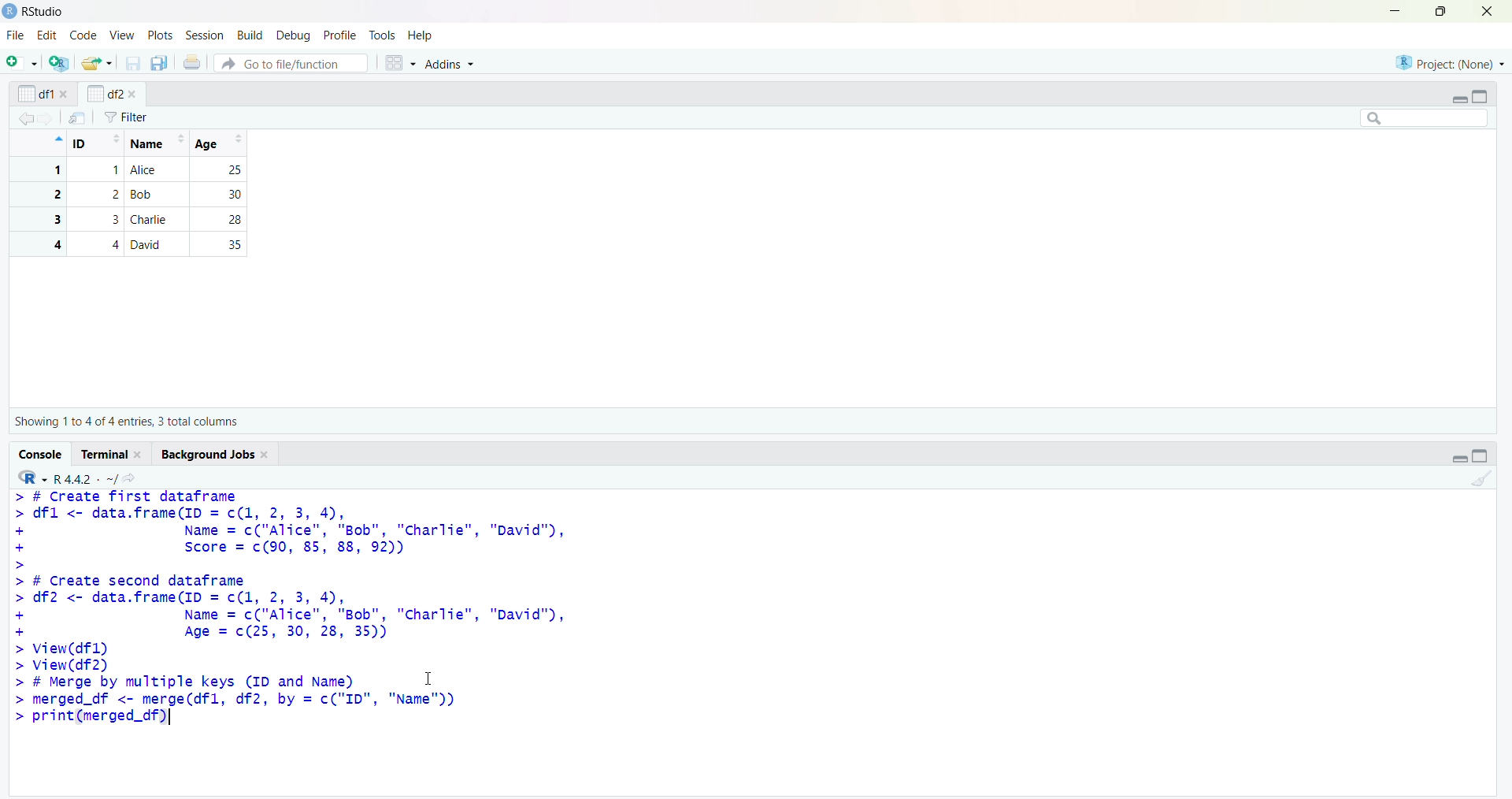 This screenshot has height=799, width=1512. What do you see at coordinates (135, 195) in the screenshot?
I see `2 2 Bob 30` at bounding box center [135, 195].